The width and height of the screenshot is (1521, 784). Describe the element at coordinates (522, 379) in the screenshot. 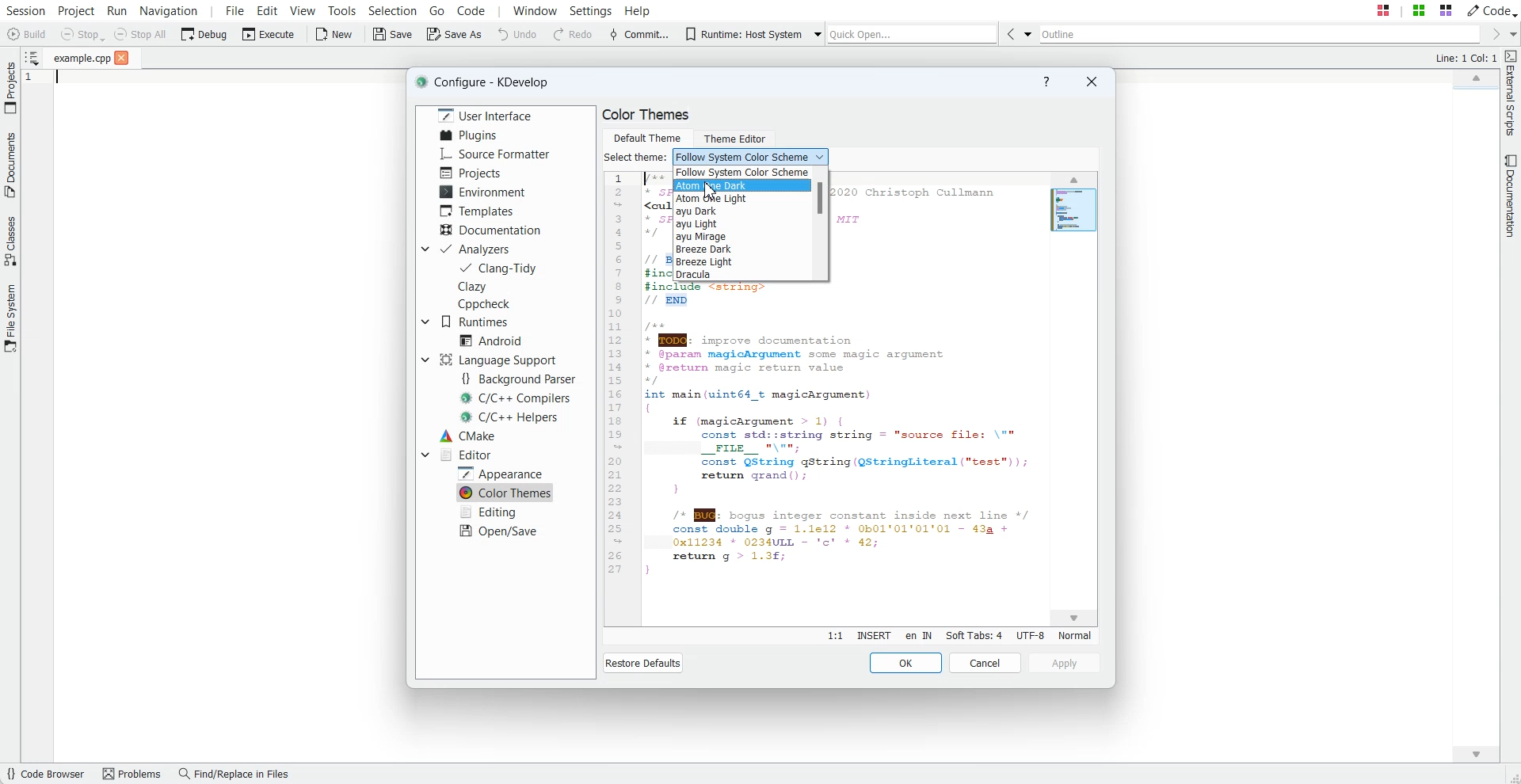

I see `Background Parser` at that location.